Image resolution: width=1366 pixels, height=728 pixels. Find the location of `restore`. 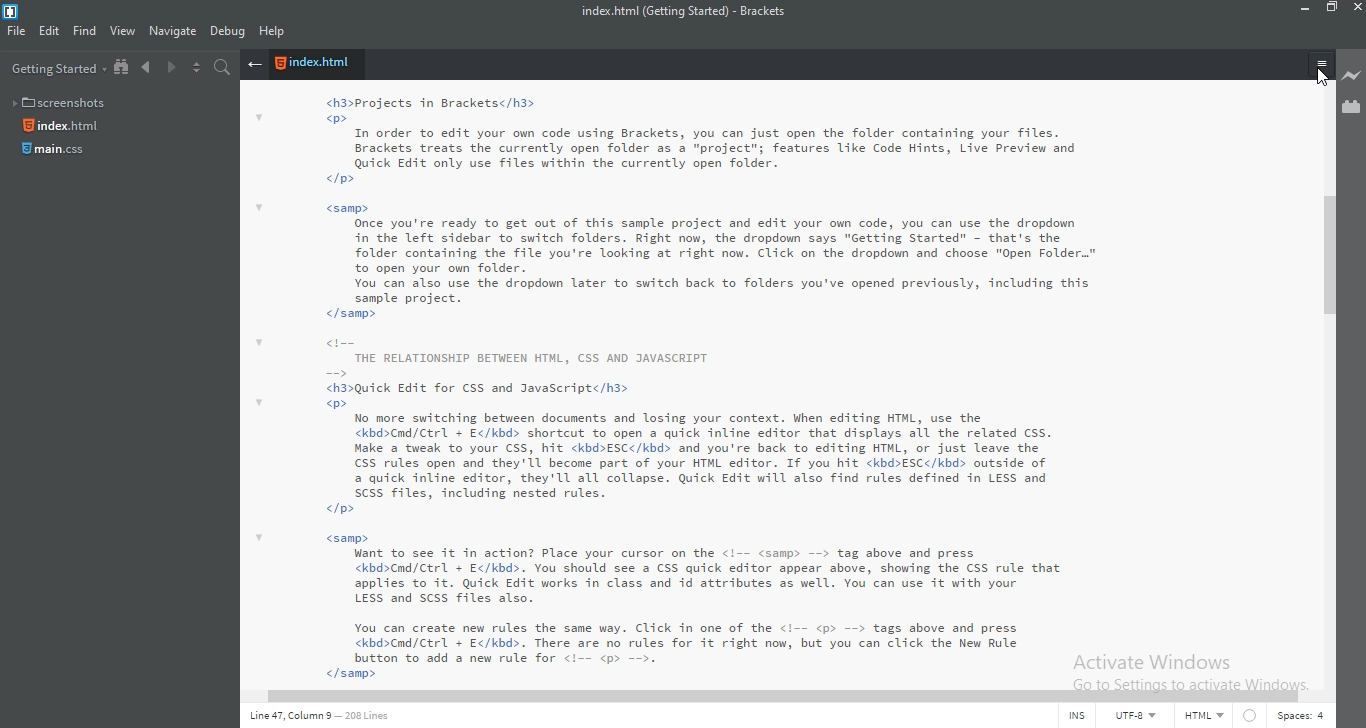

restore is located at coordinates (1334, 11).